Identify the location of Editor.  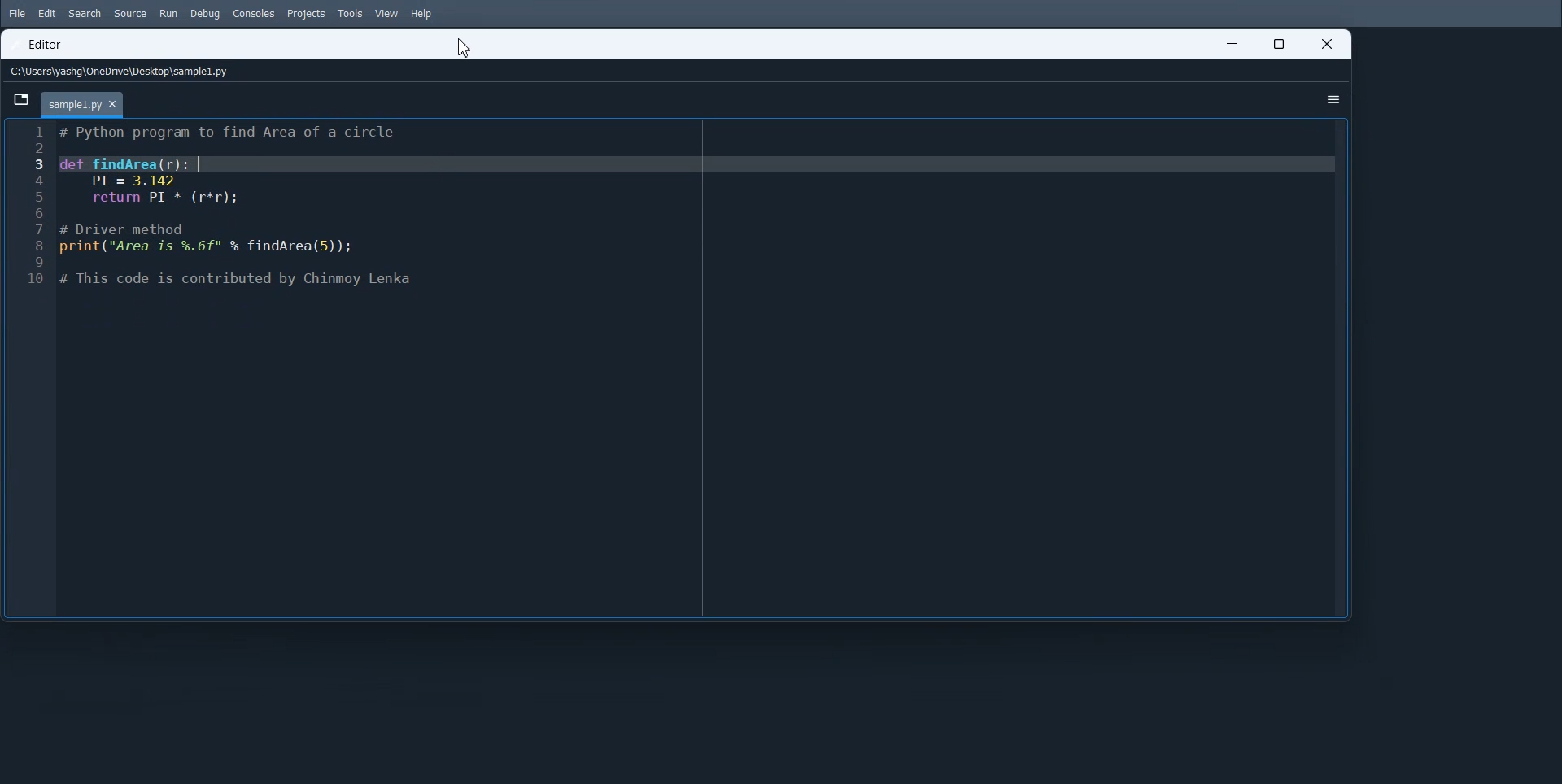
(49, 44).